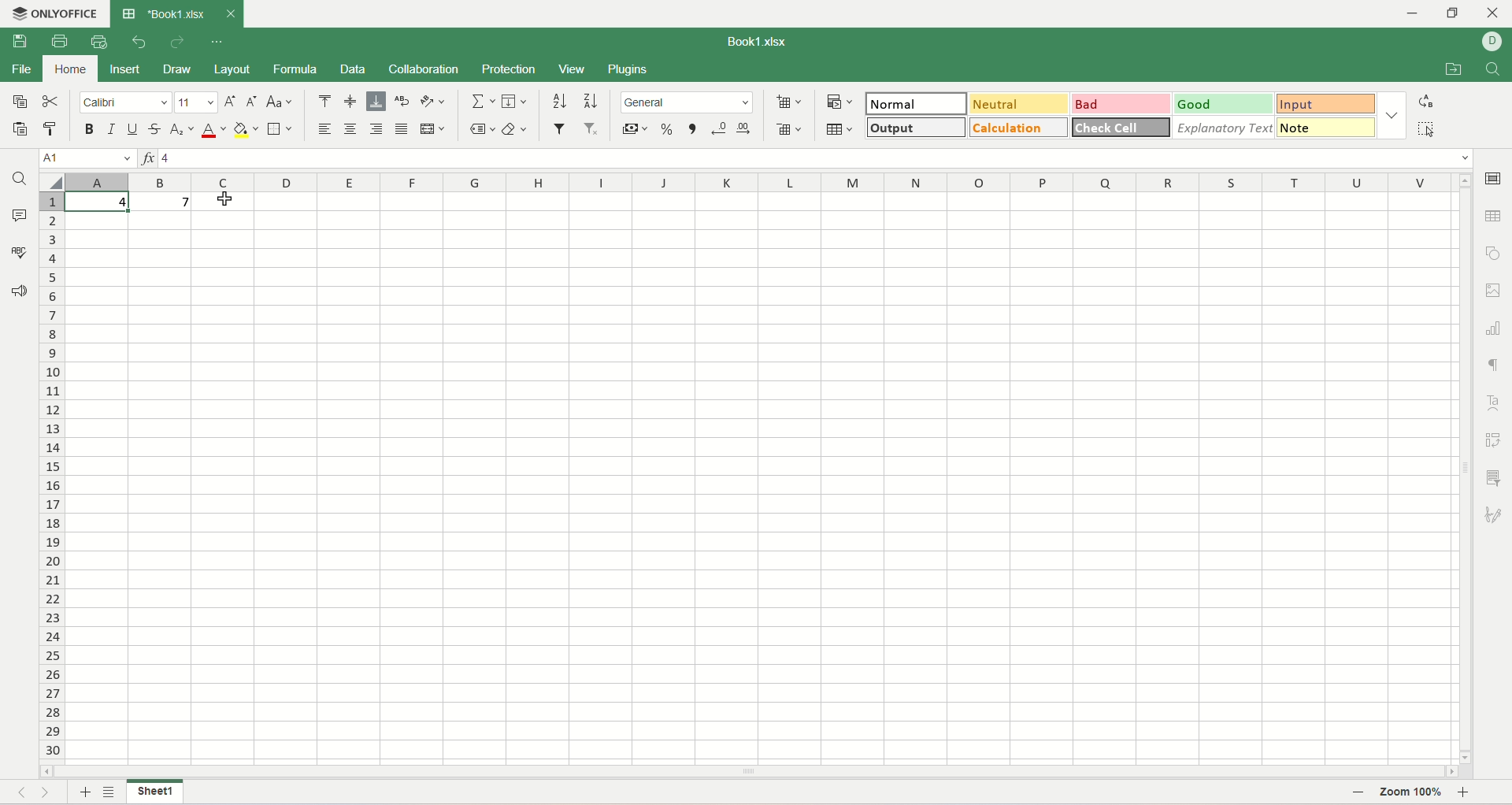 This screenshot has height=805, width=1512. I want to click on align middle, so click(352, 101).